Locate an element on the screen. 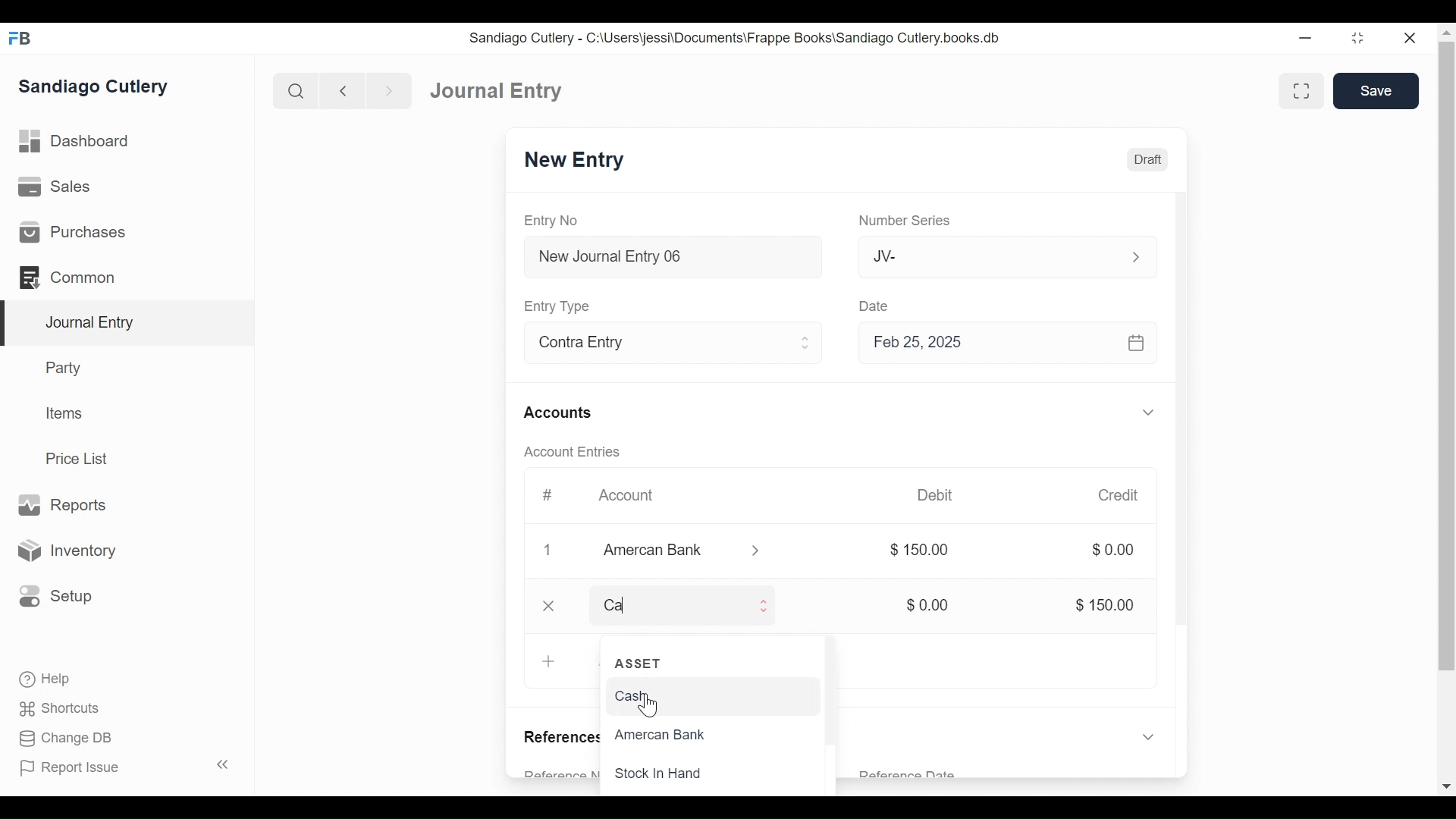  Number Series is located at coordinates (913, 220).